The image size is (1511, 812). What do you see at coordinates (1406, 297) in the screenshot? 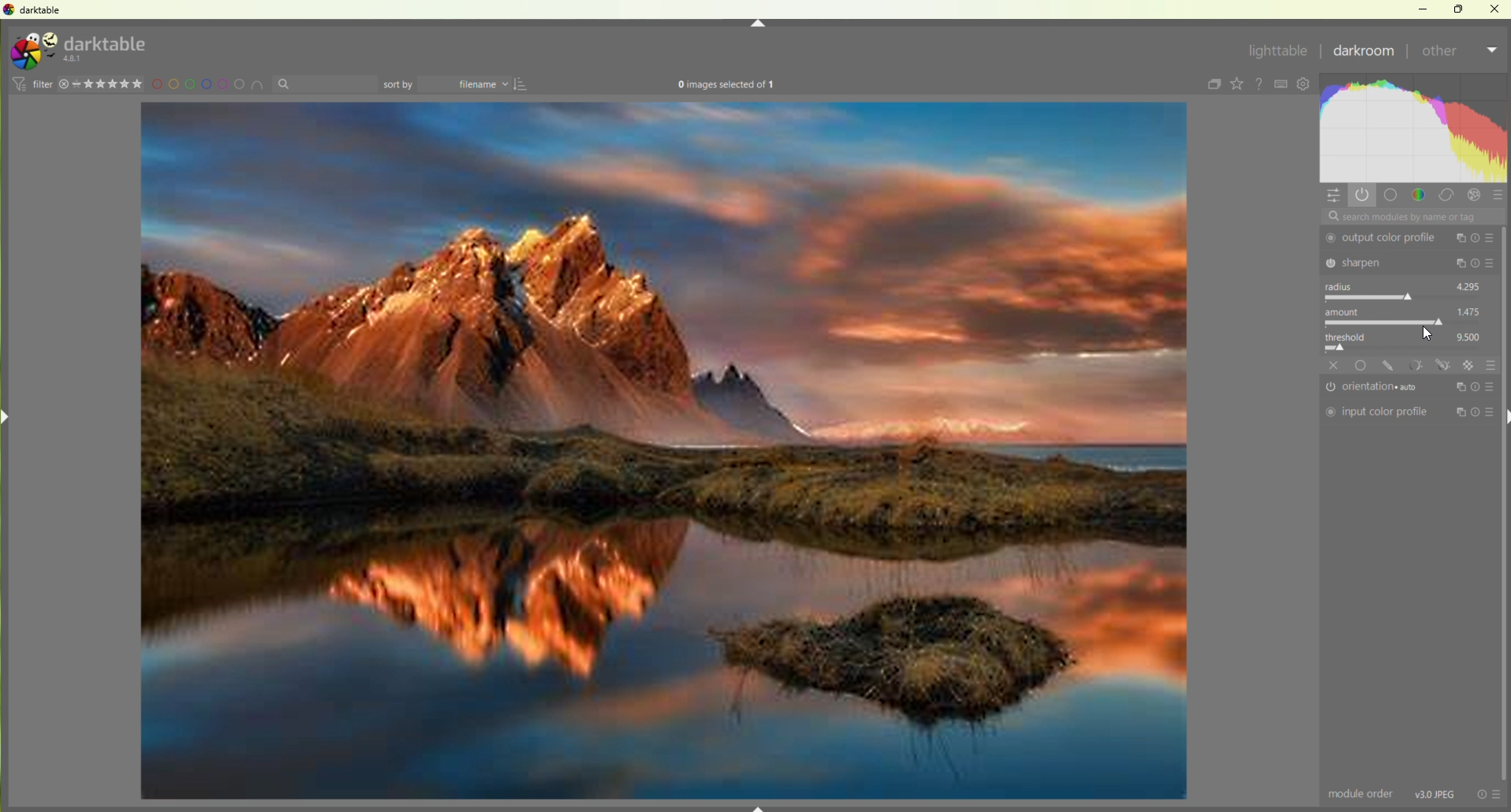
I see `input slider` at bounding box center [1406, 297].